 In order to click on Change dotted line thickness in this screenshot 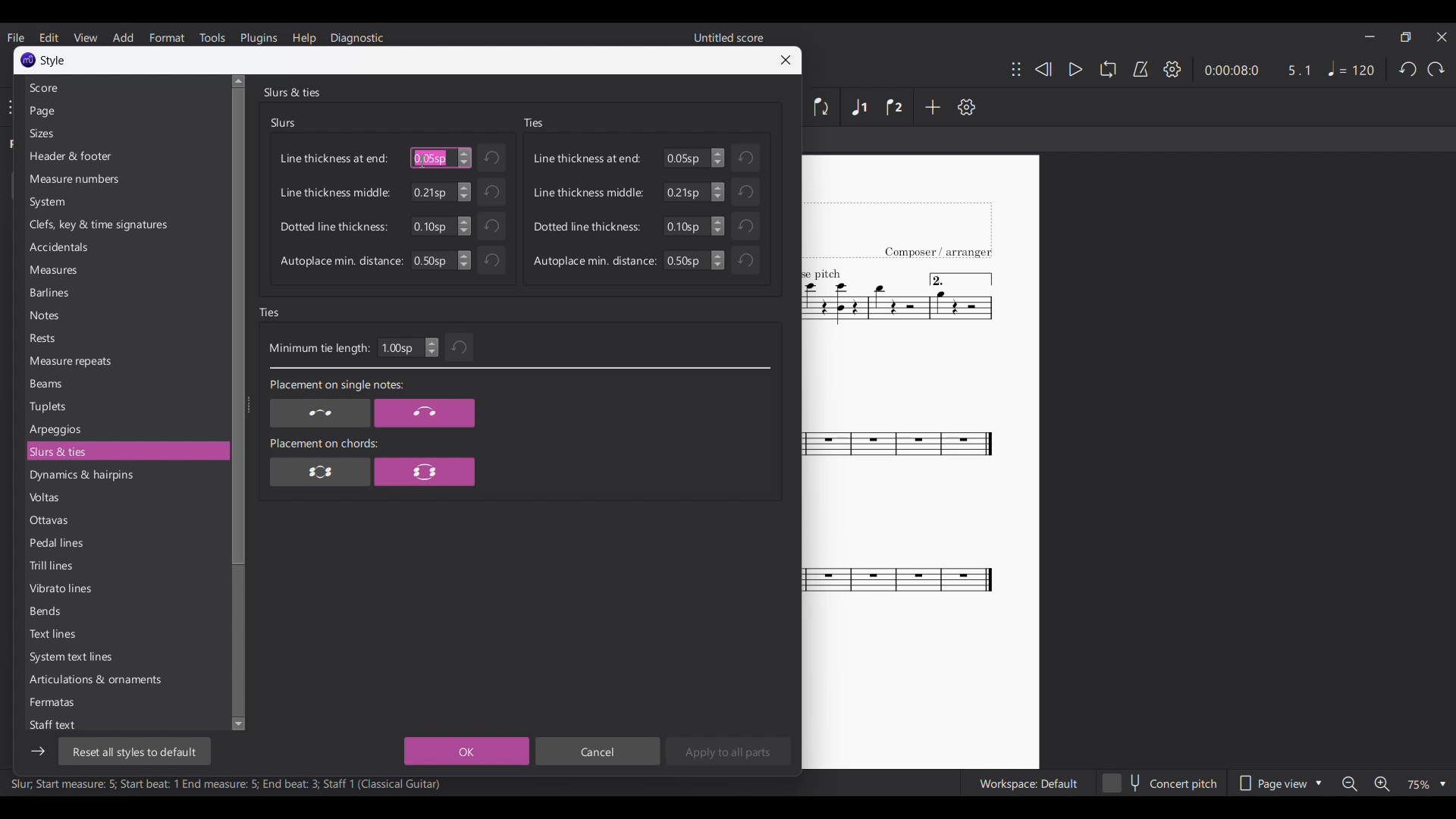, I will do `click(718, 226)`.